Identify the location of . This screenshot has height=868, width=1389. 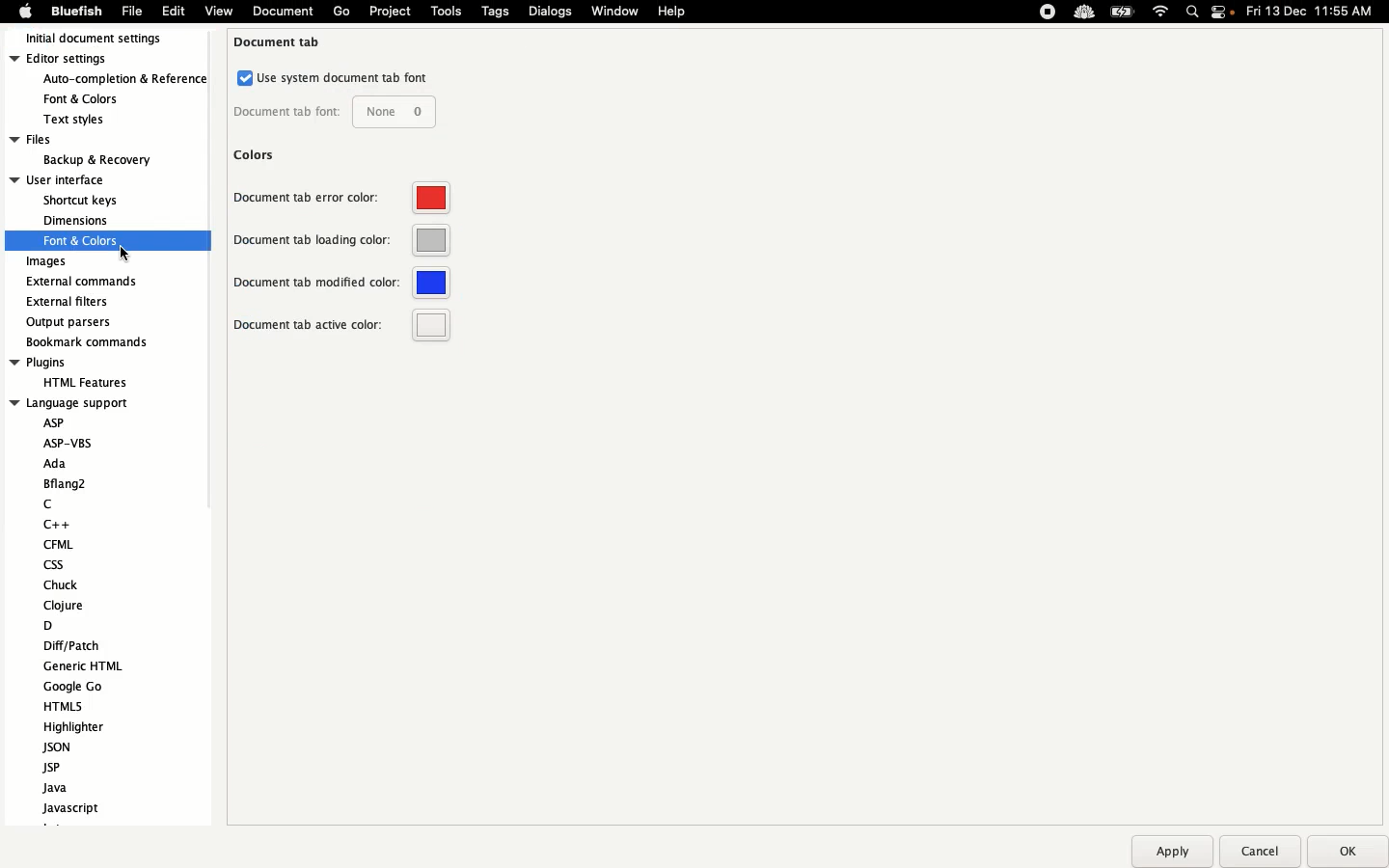
(340, 239).